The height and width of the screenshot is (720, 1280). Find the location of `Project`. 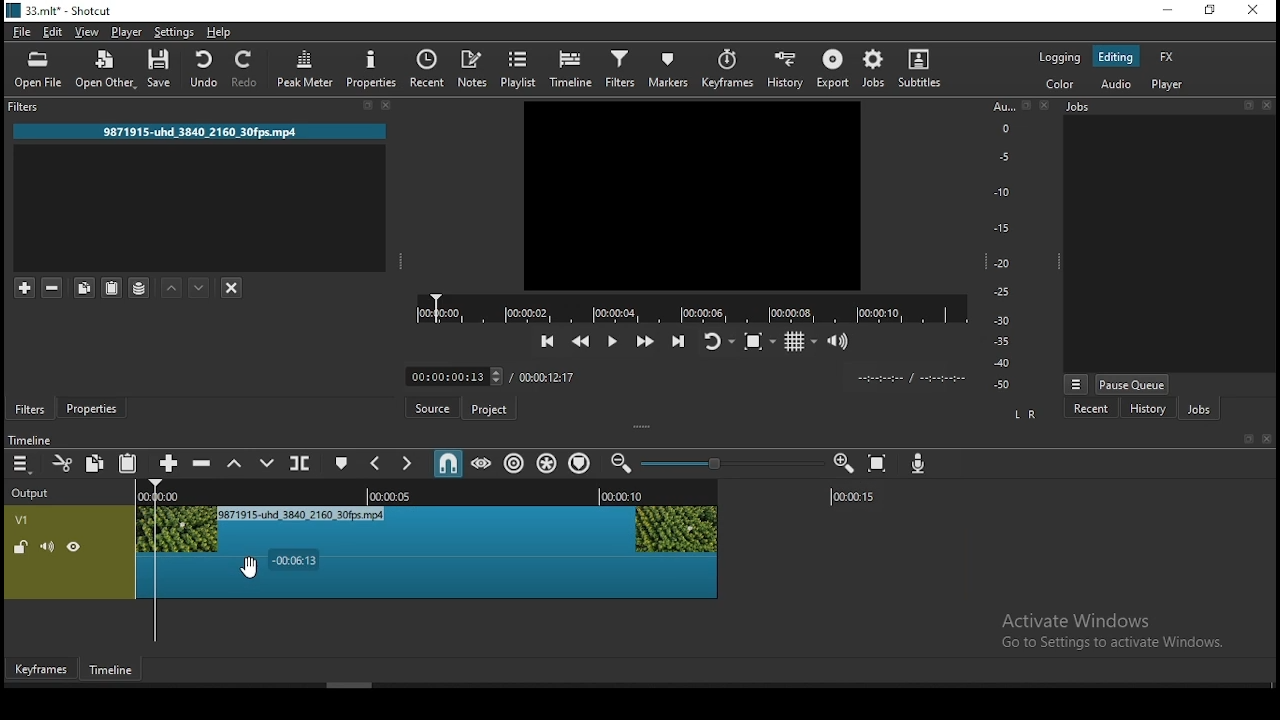

Project is located at coordinates (488, 407).